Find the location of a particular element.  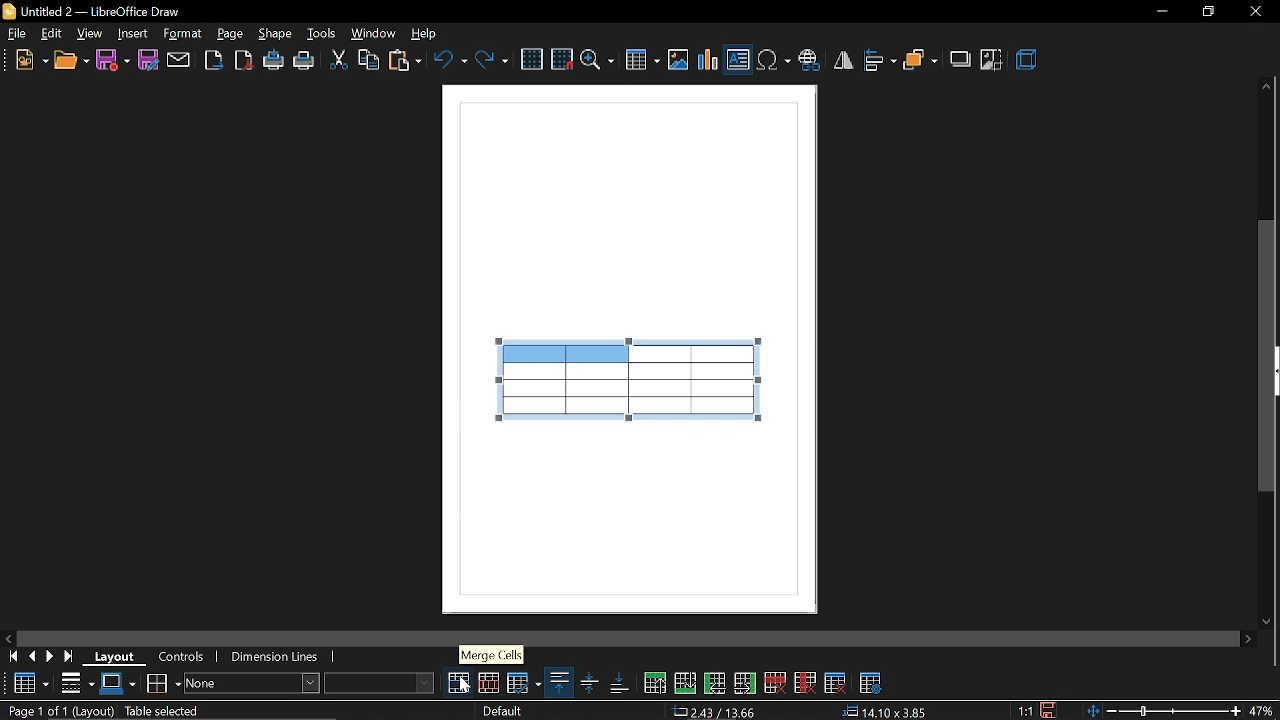

table selected is located at coordinates (170, 710).